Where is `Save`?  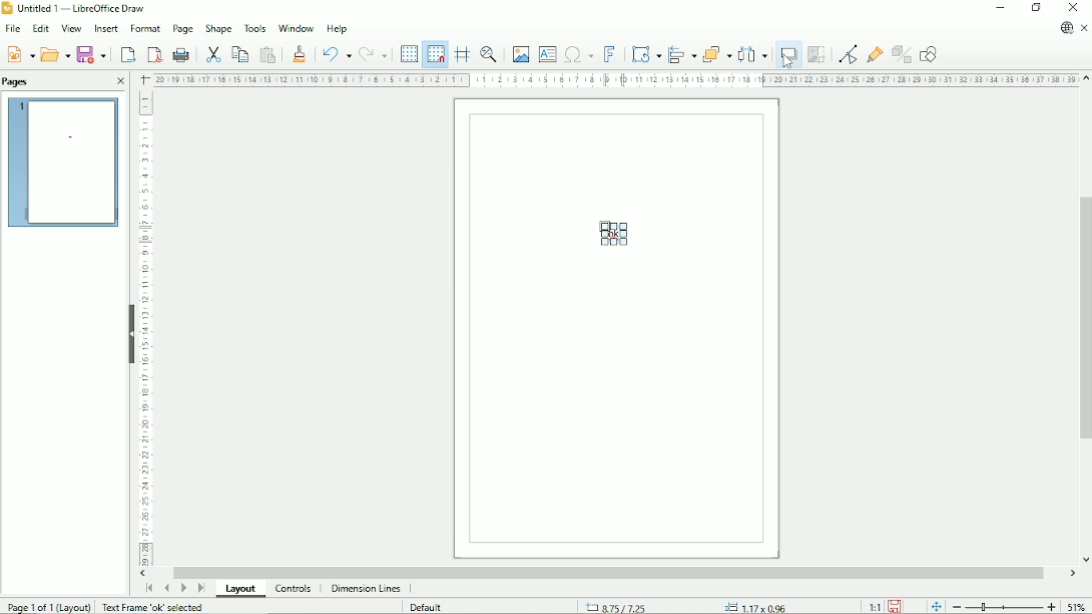 Save is located at coordinates (894, 606).